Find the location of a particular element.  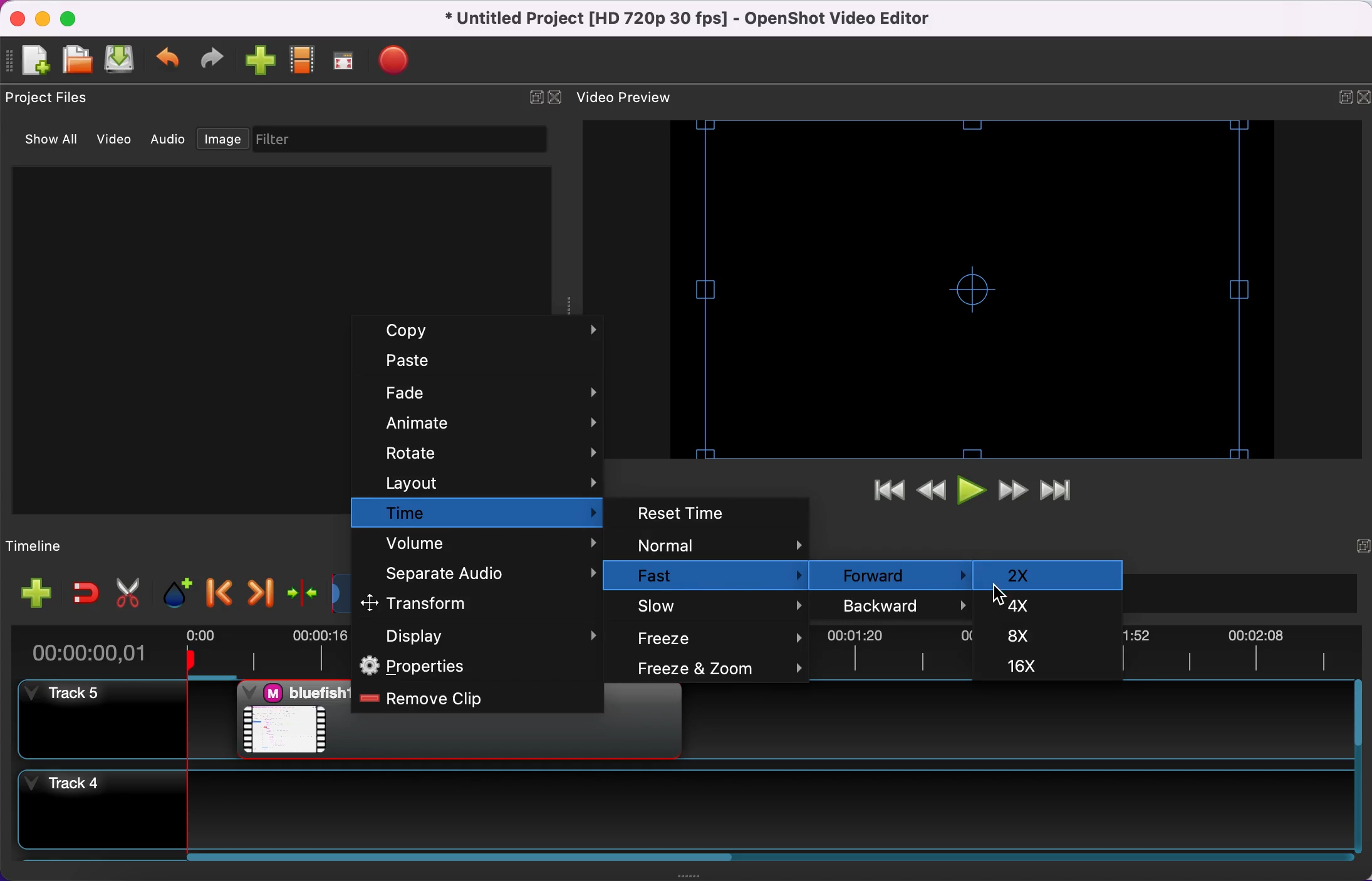

freeze is located at coordinates (721, 638).